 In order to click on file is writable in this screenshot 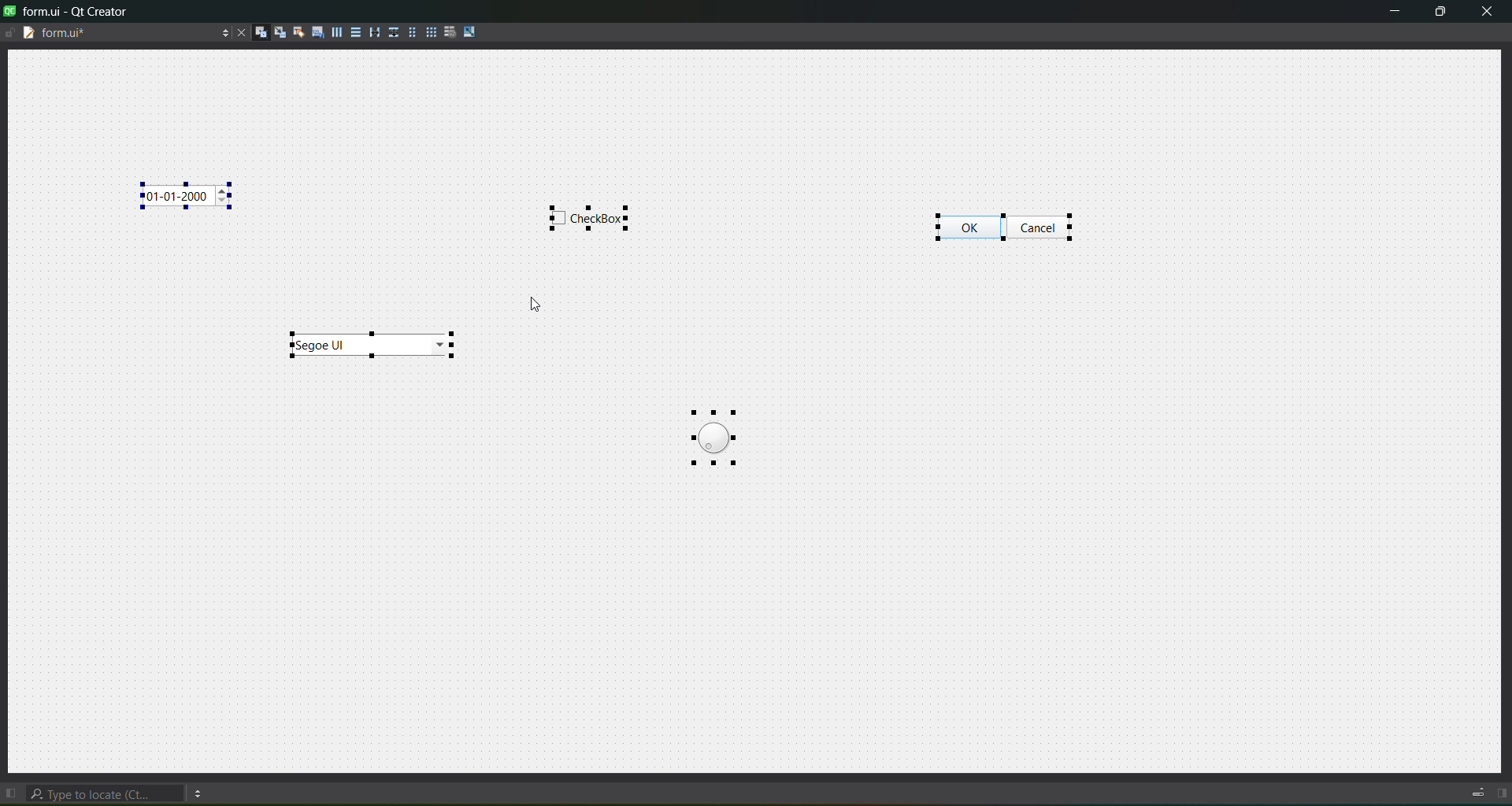, I will do `click(9, 31)`.